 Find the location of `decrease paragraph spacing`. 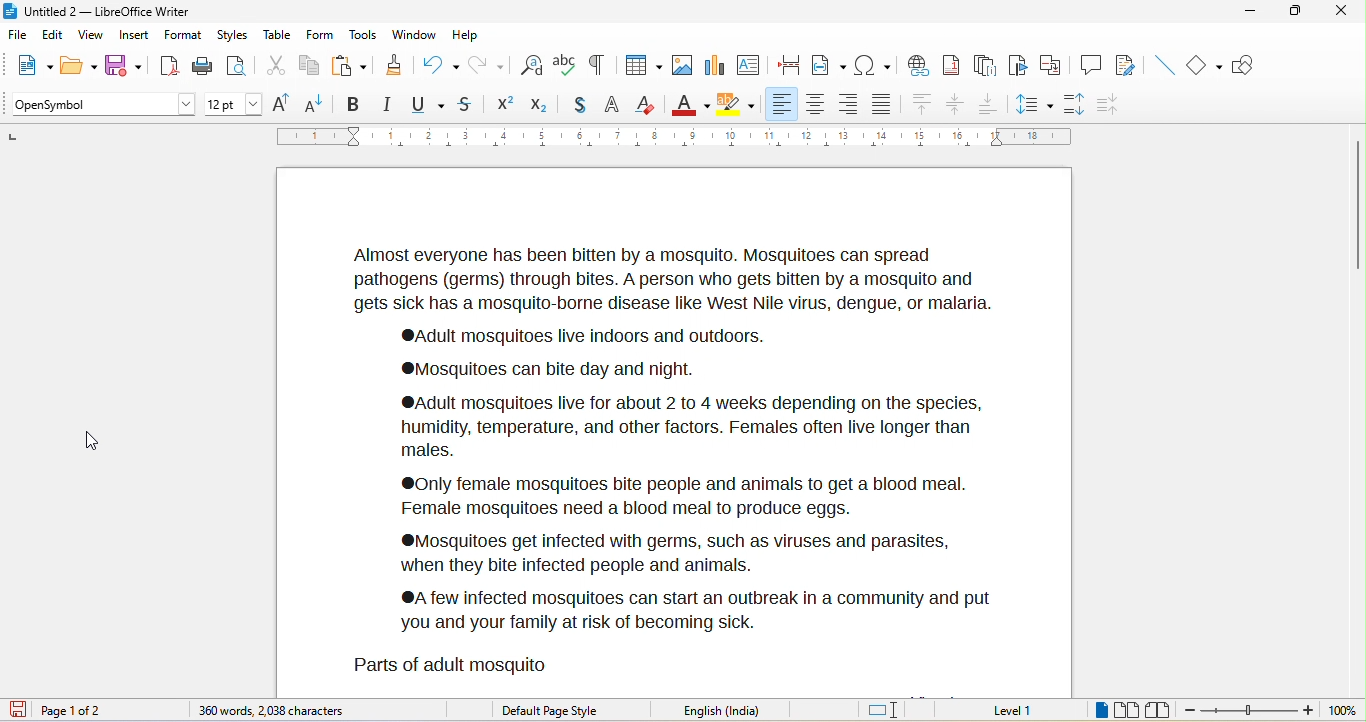

decrease paragraph spacing is located at coordinates (1110, 103).